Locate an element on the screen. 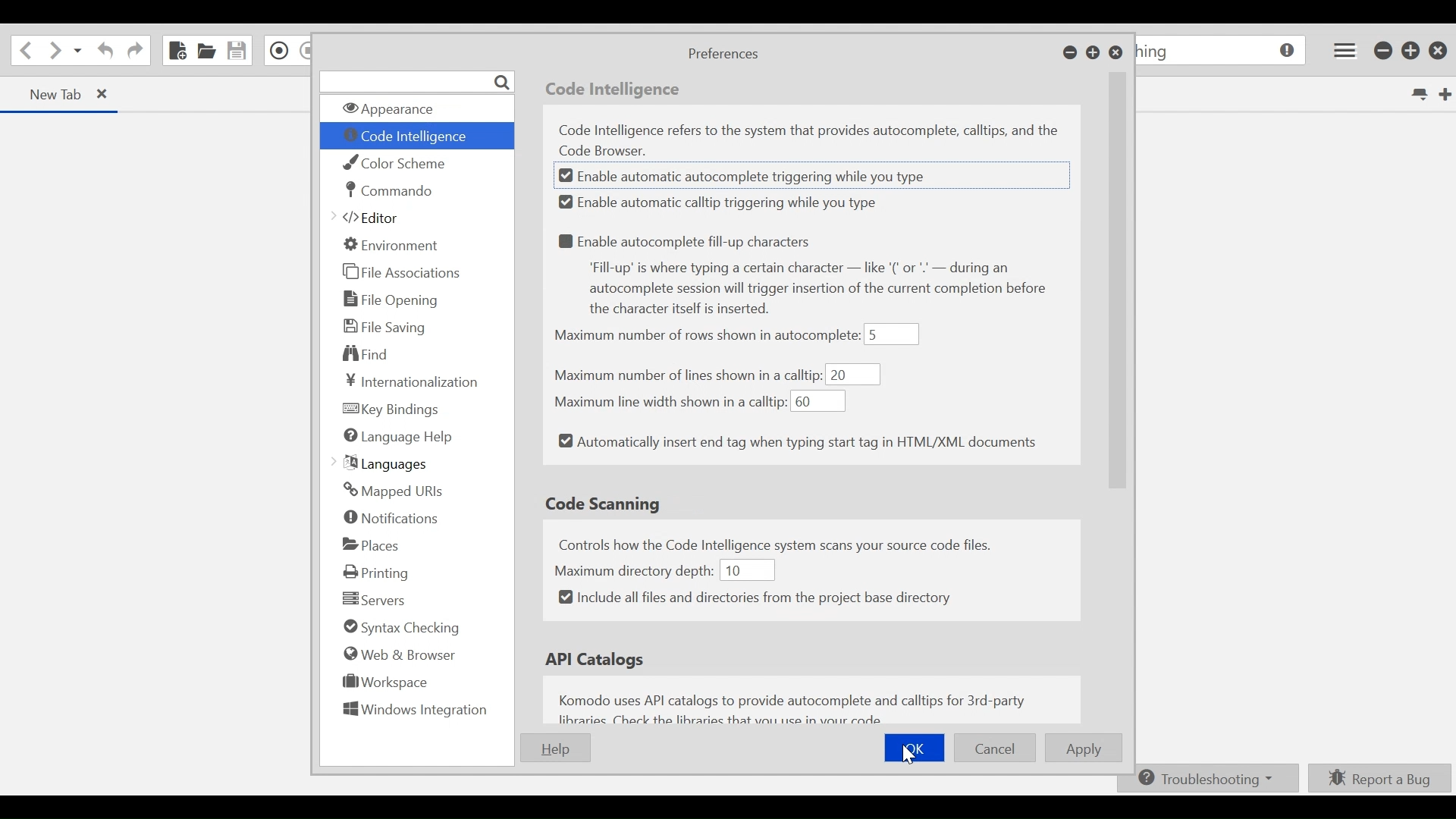  OK is located at coordinates (915, 746).